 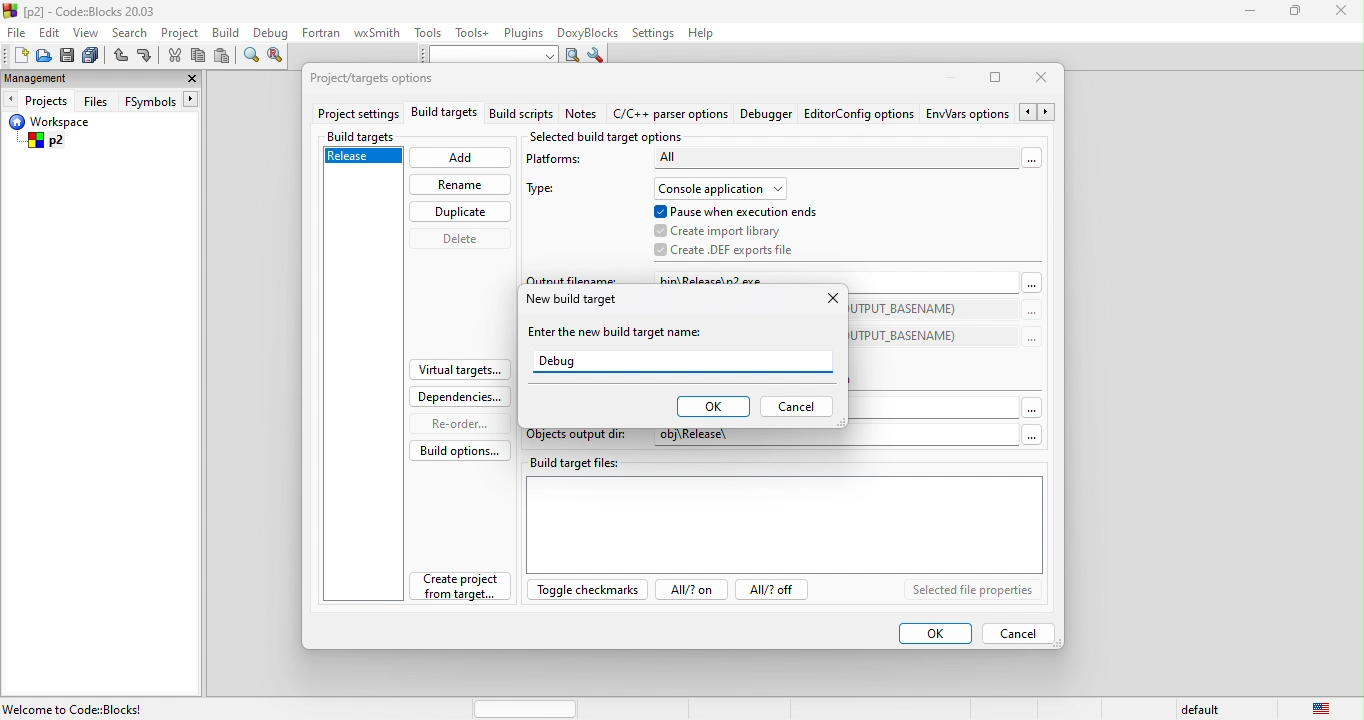 I want to click on united state, so click(x=1324, y=707).